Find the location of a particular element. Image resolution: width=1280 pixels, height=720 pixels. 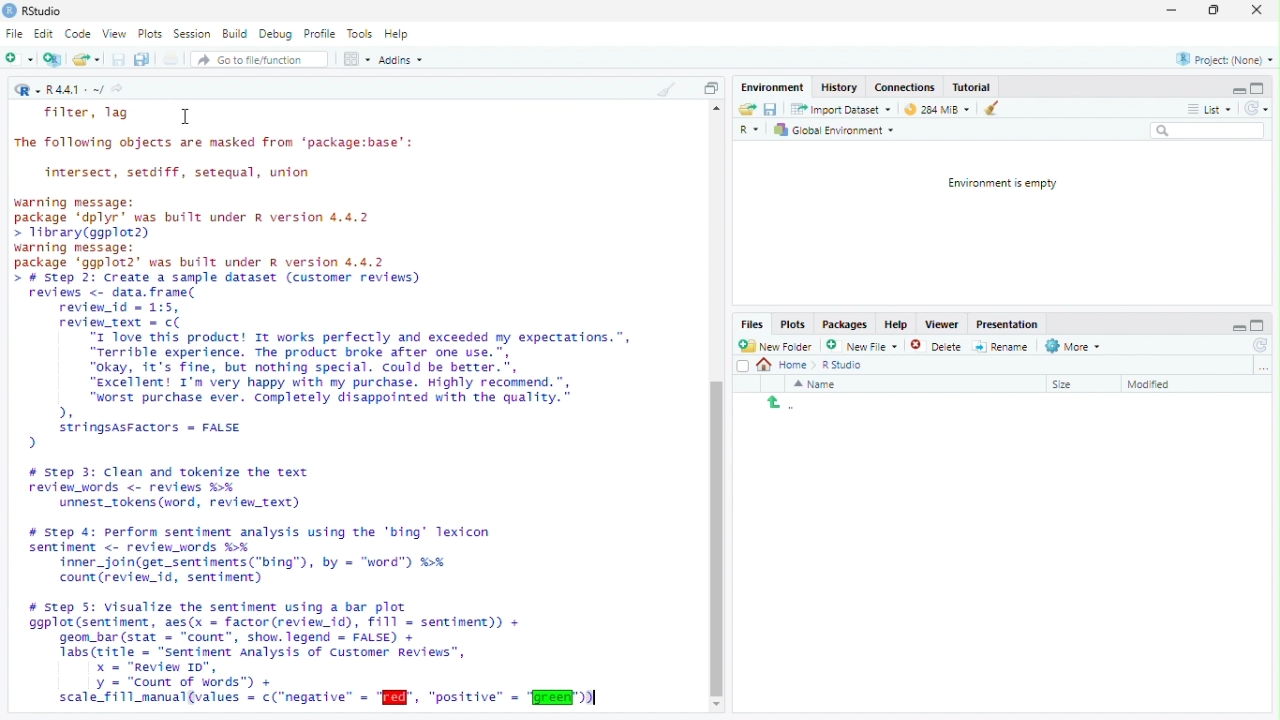

R4.4.1 ~/ is located at coordinates (77, 91).